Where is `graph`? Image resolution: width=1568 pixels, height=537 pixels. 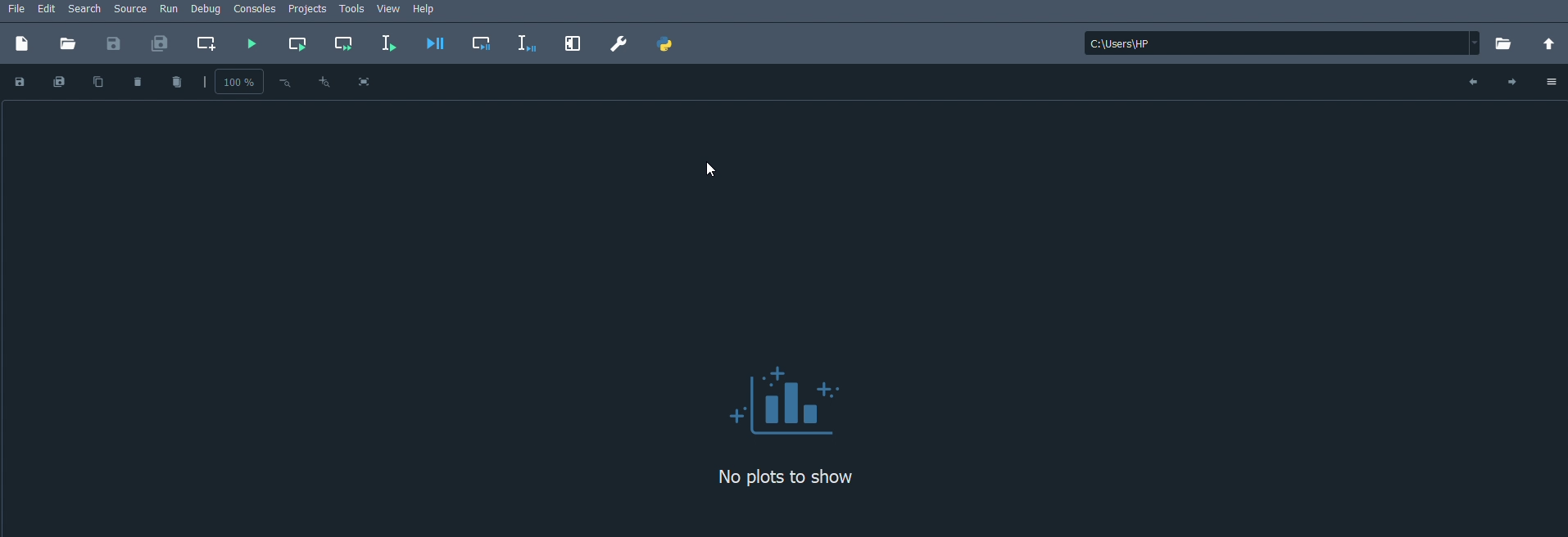
graph is located at coordinates (783, 399).